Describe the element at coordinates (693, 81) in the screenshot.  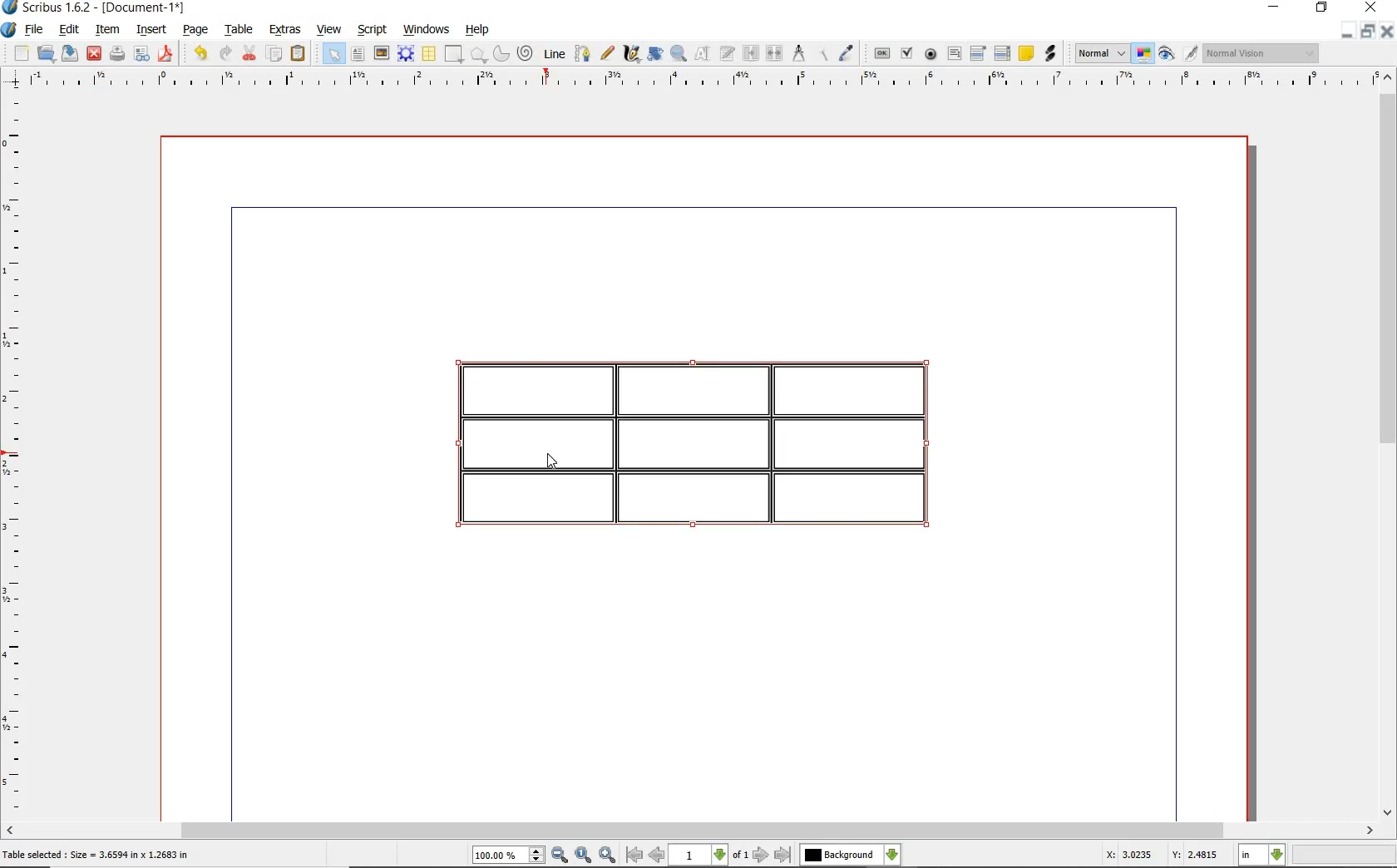
I see `ruler` at that location.